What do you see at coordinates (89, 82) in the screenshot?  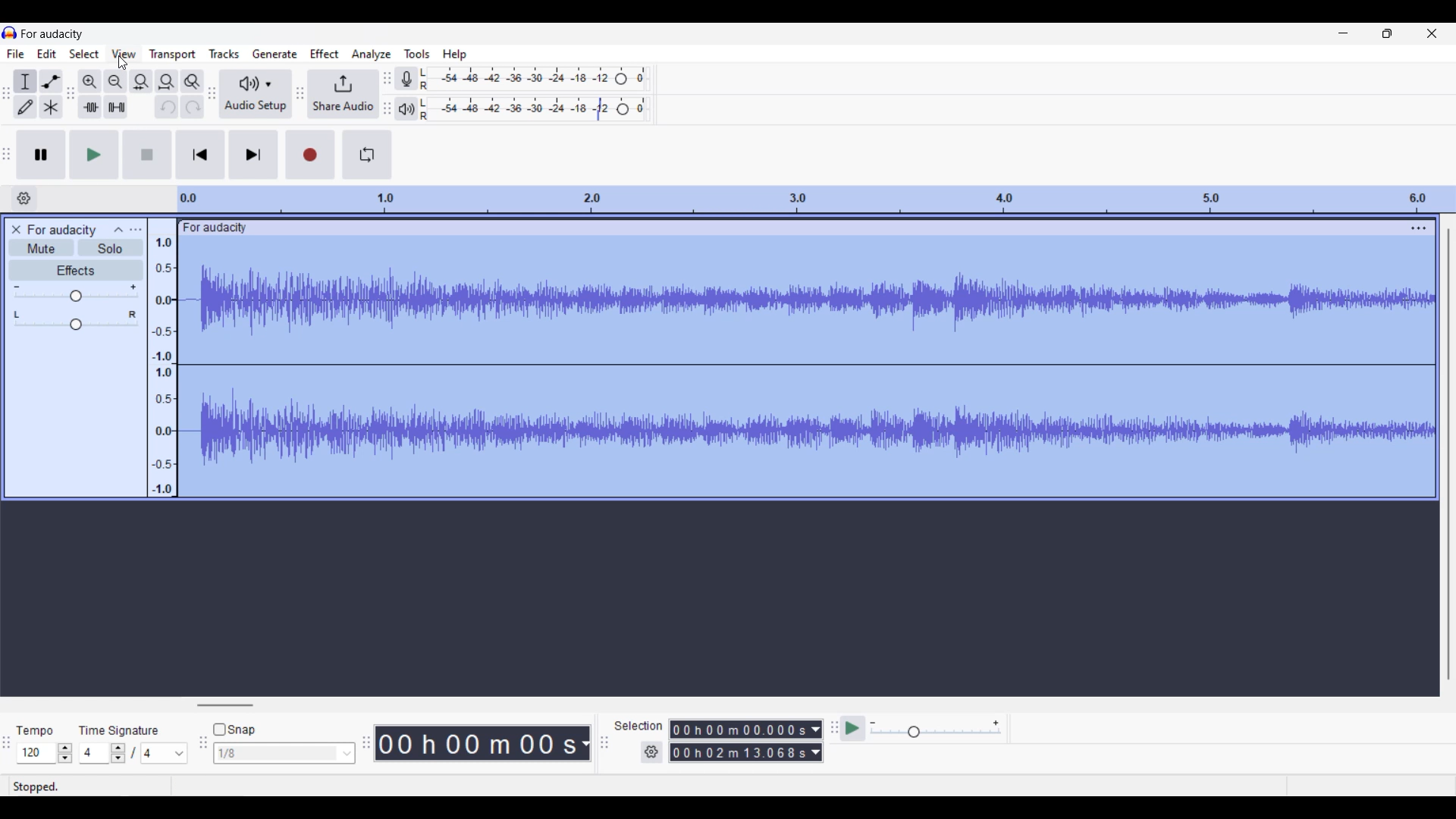 I see `Zoom in` at bounding box center [89, 82].